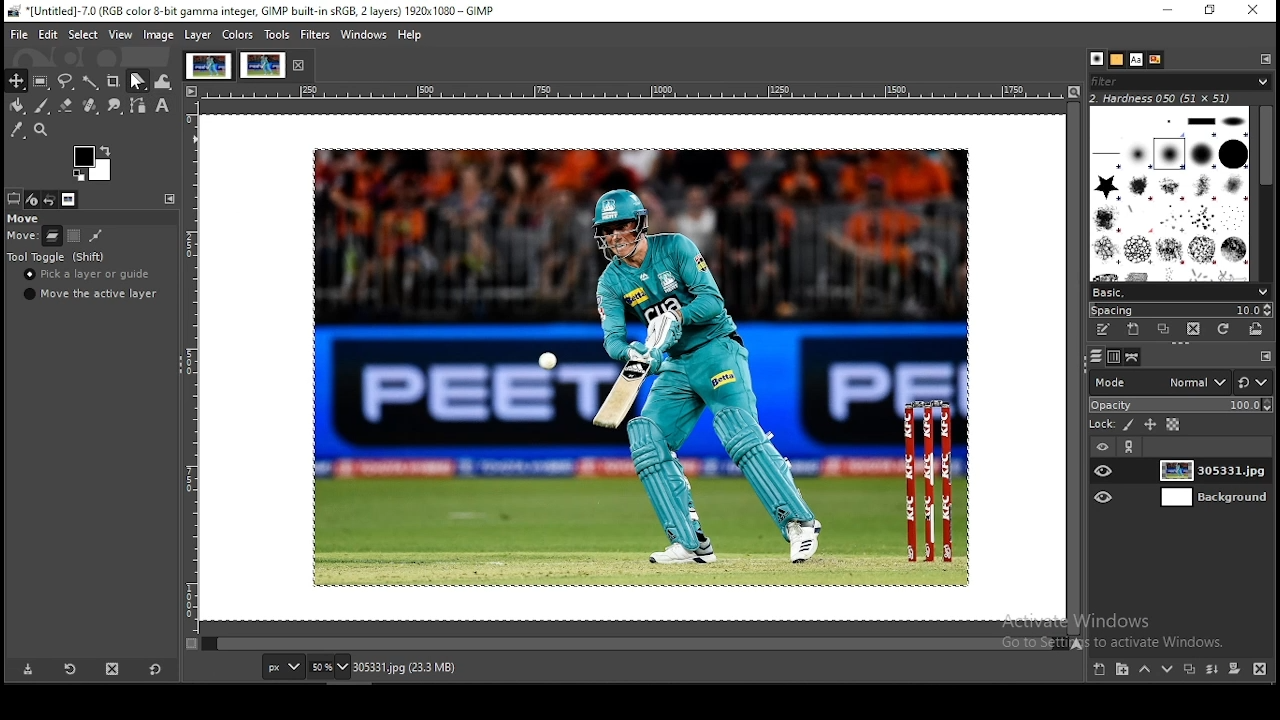  Describe the element at coordinates (197, 35) in the screenshot. I see `layer` at that location.